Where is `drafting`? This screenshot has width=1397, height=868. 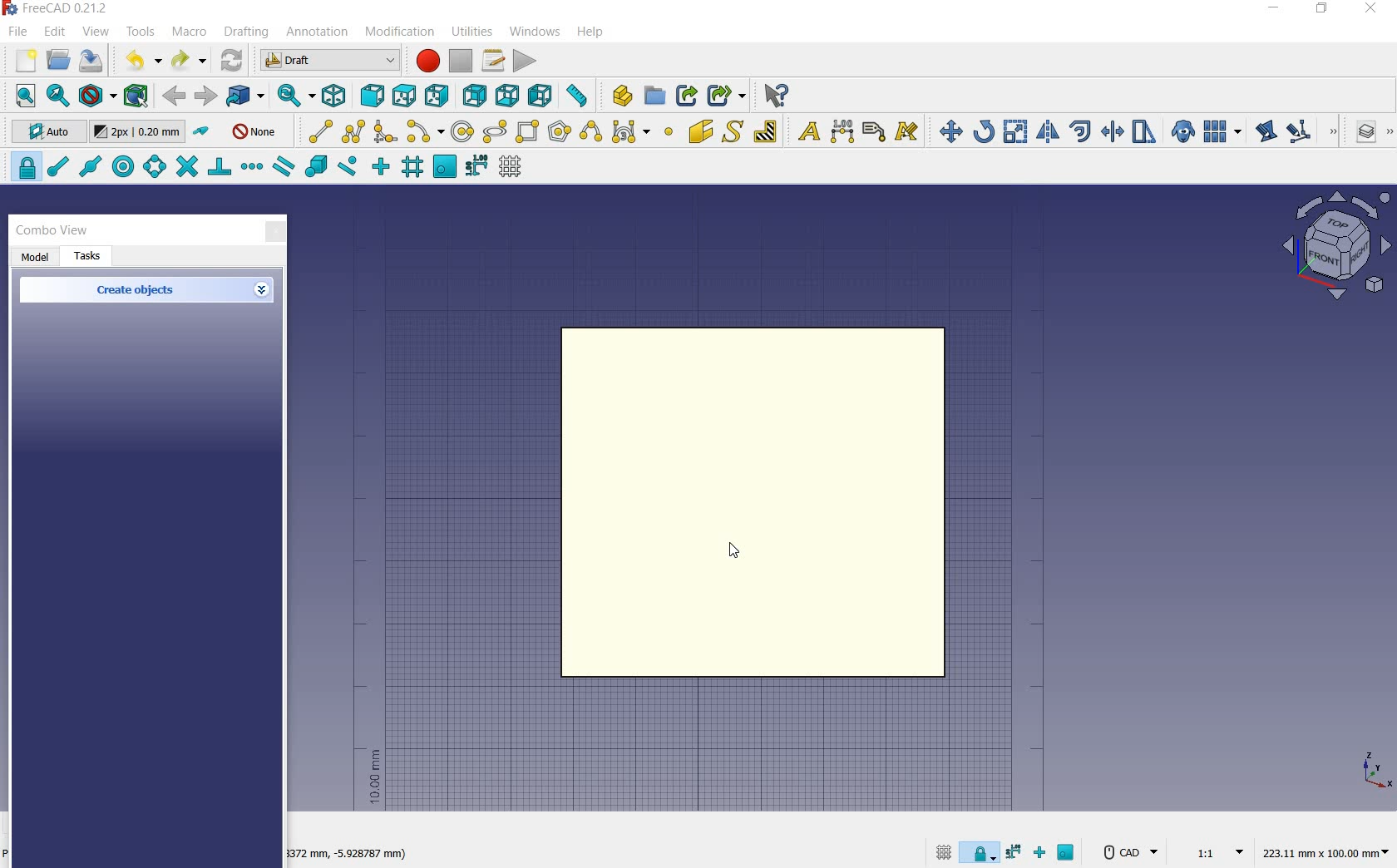
drafting is located at coordinates (247, 32).